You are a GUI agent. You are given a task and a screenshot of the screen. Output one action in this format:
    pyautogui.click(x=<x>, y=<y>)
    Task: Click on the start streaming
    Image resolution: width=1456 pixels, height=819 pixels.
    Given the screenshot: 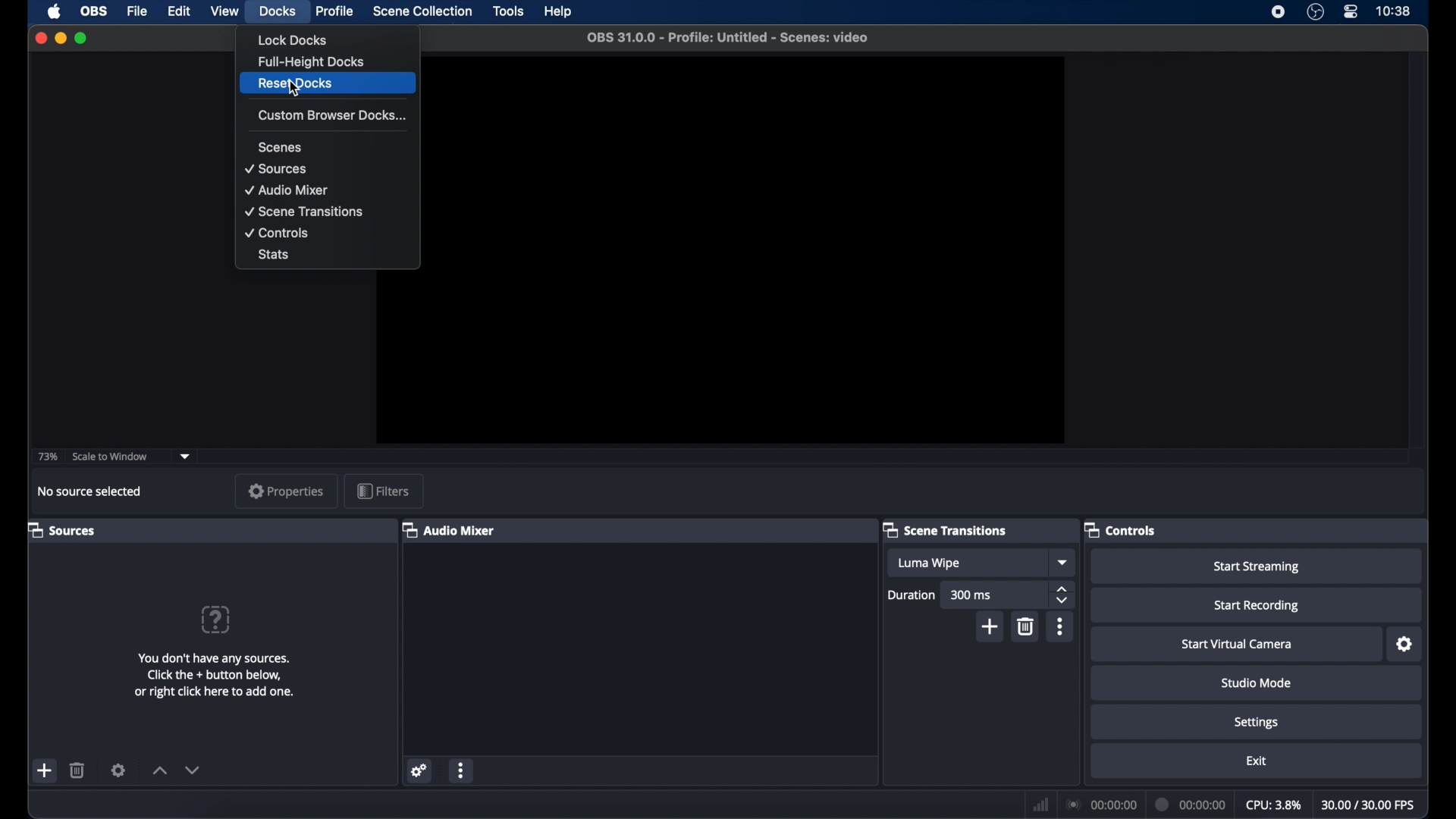 What is the action you would take?
    pyautogui.click(x=1260, y=567)
    